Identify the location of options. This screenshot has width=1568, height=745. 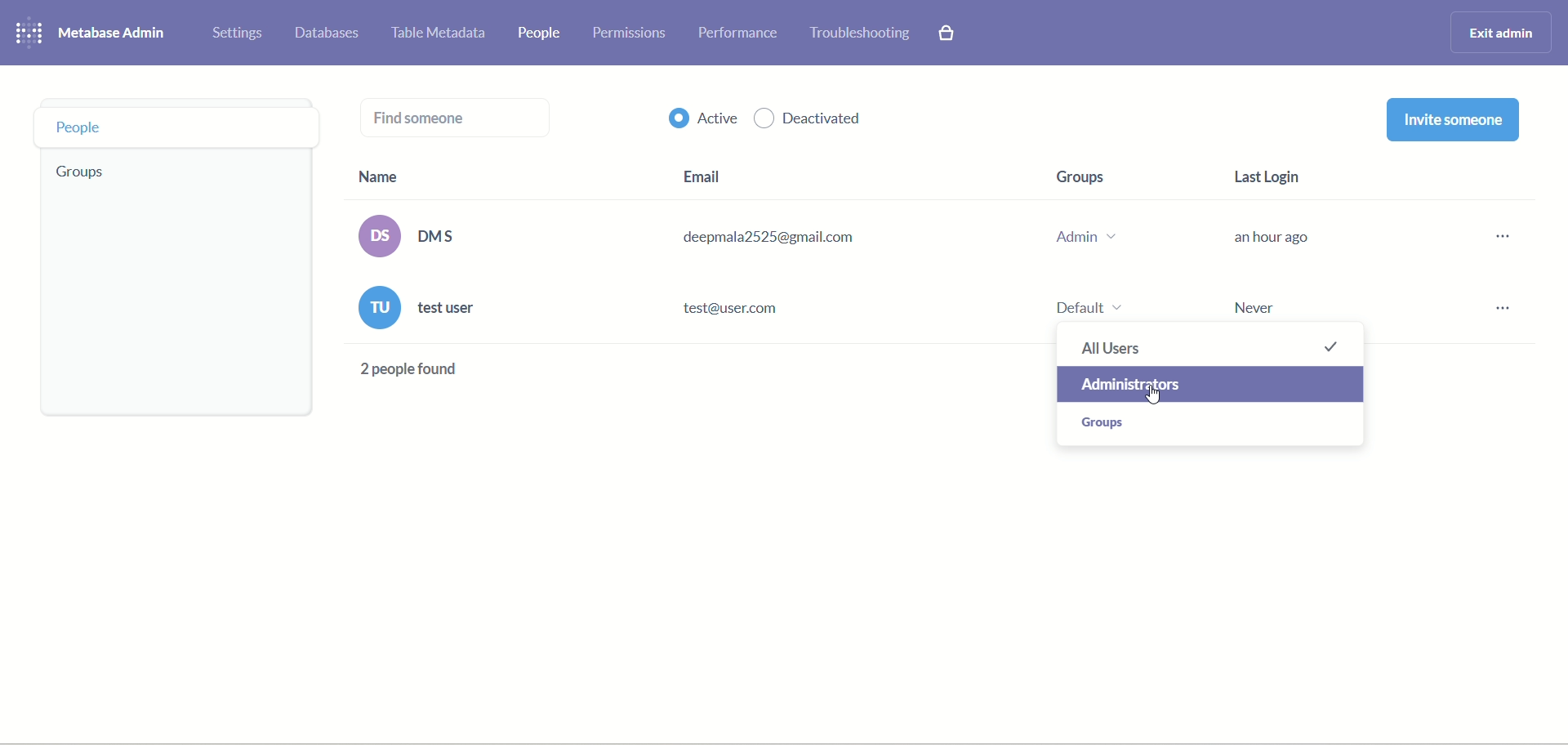
(1494, 280).